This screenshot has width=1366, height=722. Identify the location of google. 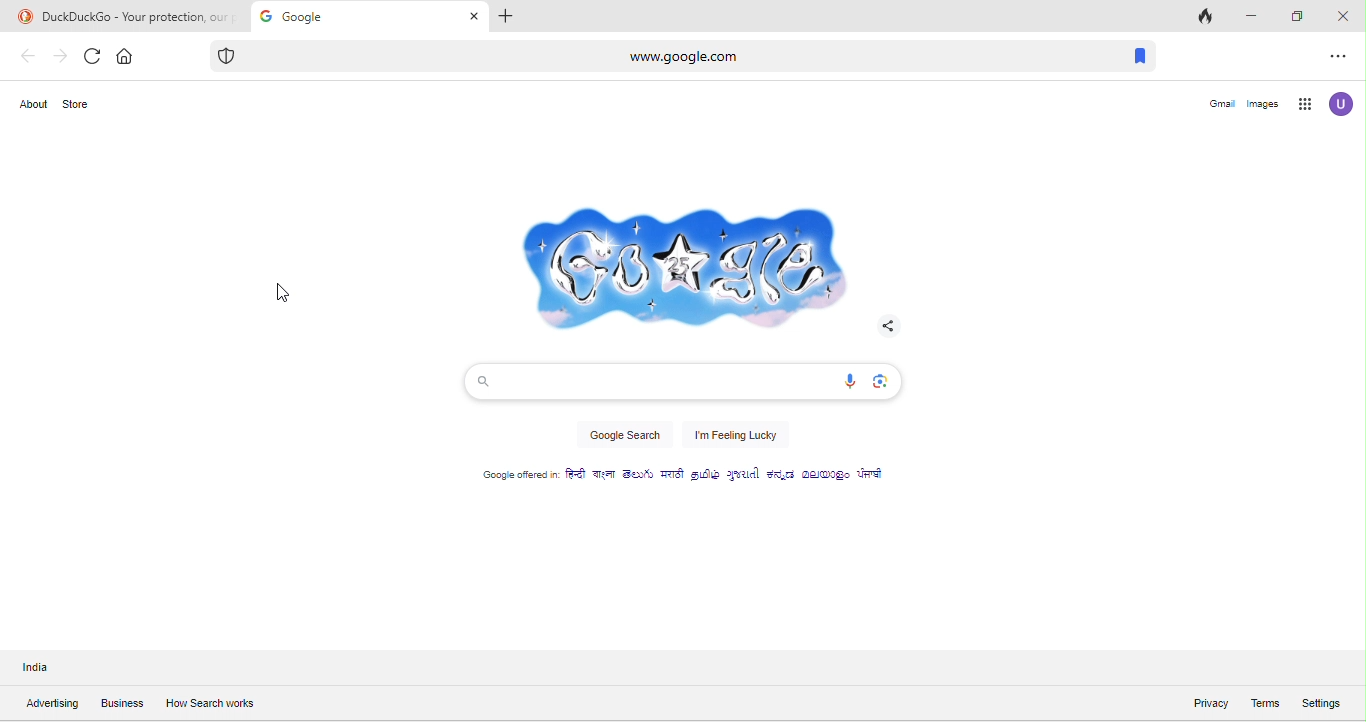
(368, 16).